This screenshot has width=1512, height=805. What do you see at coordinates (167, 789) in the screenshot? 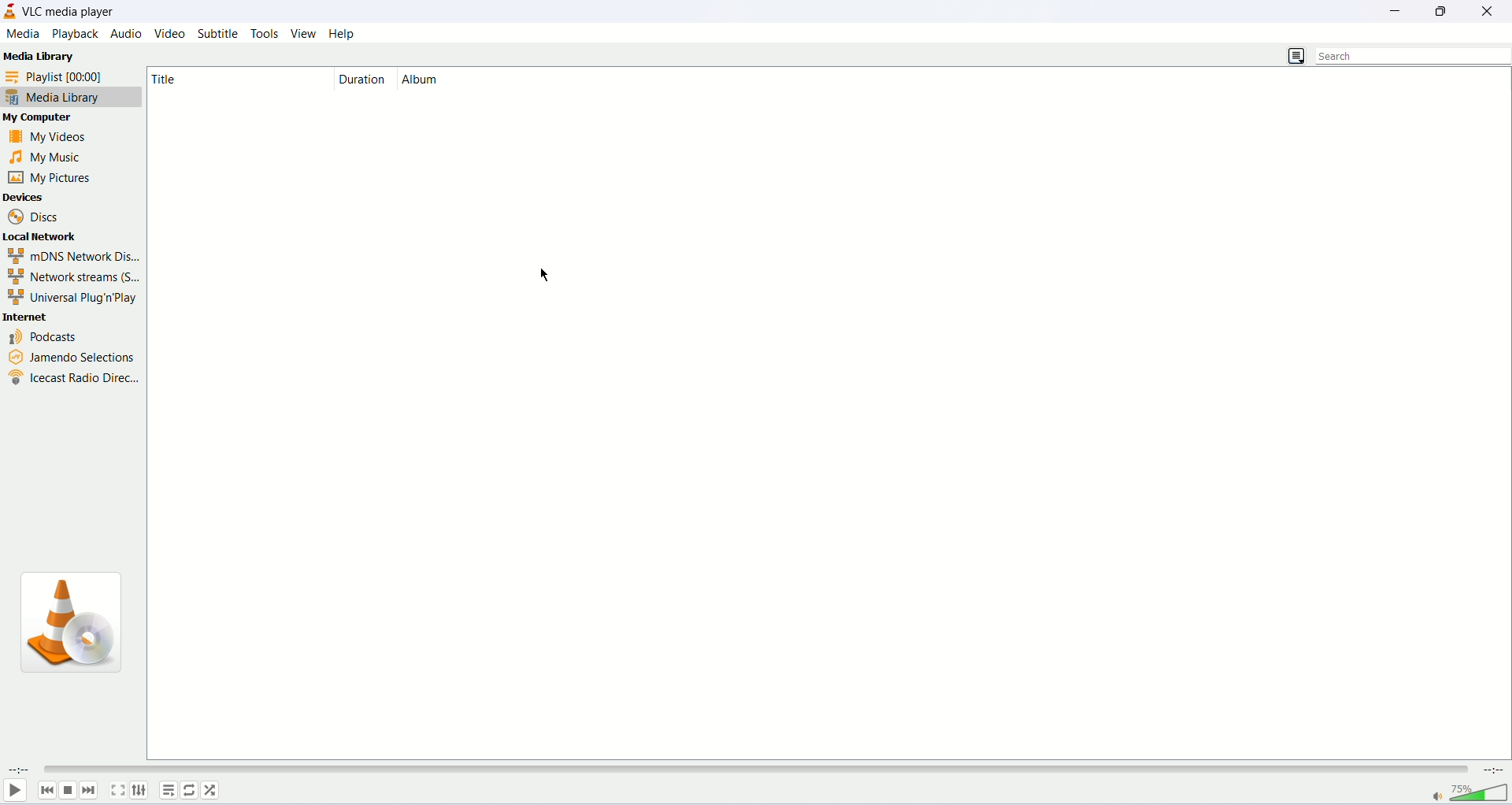
I see `playlist` at bounding box center [167, 789].